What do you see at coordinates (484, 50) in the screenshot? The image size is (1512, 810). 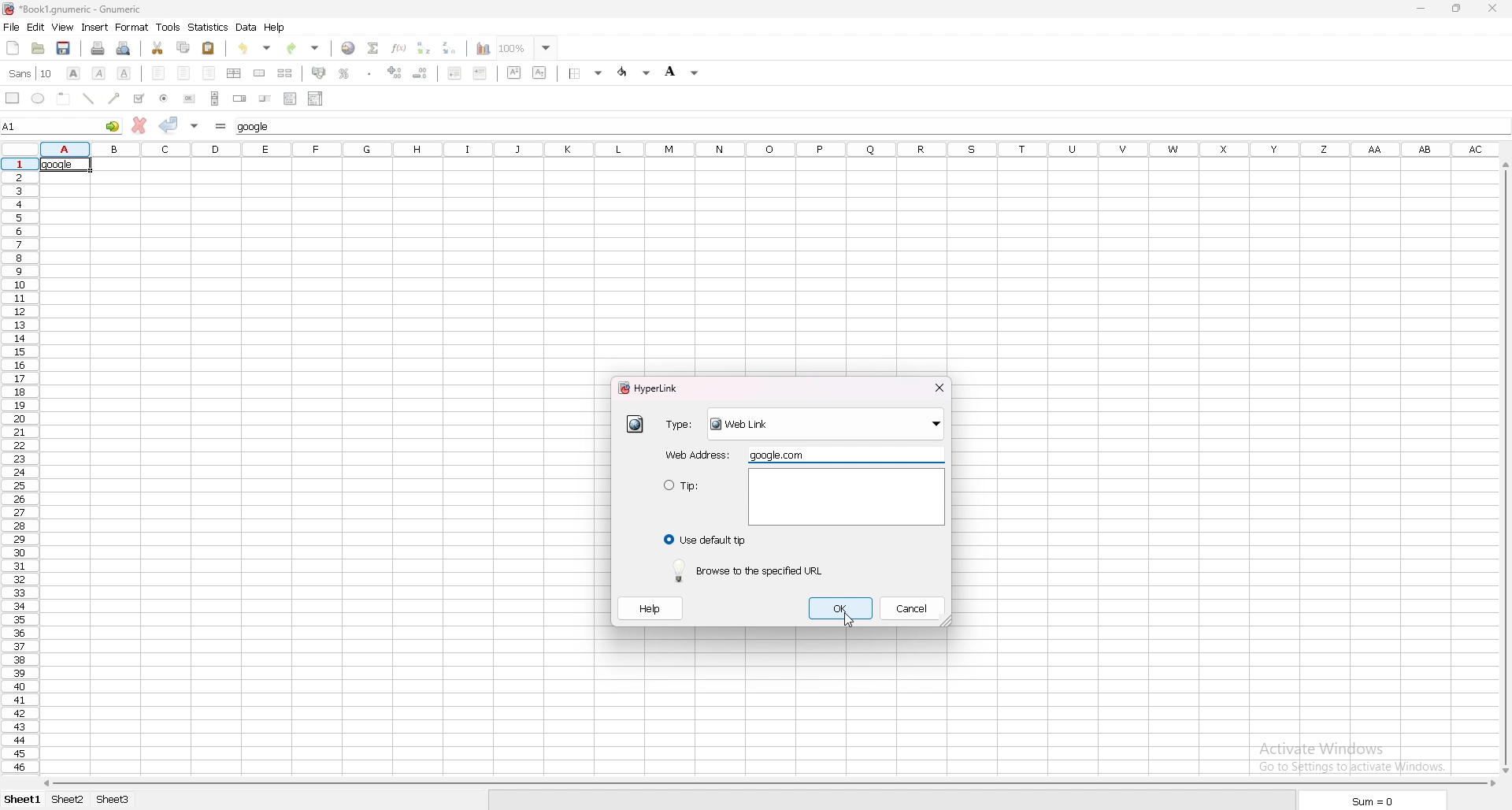 I see `chart` at bounding box center [484, 50].